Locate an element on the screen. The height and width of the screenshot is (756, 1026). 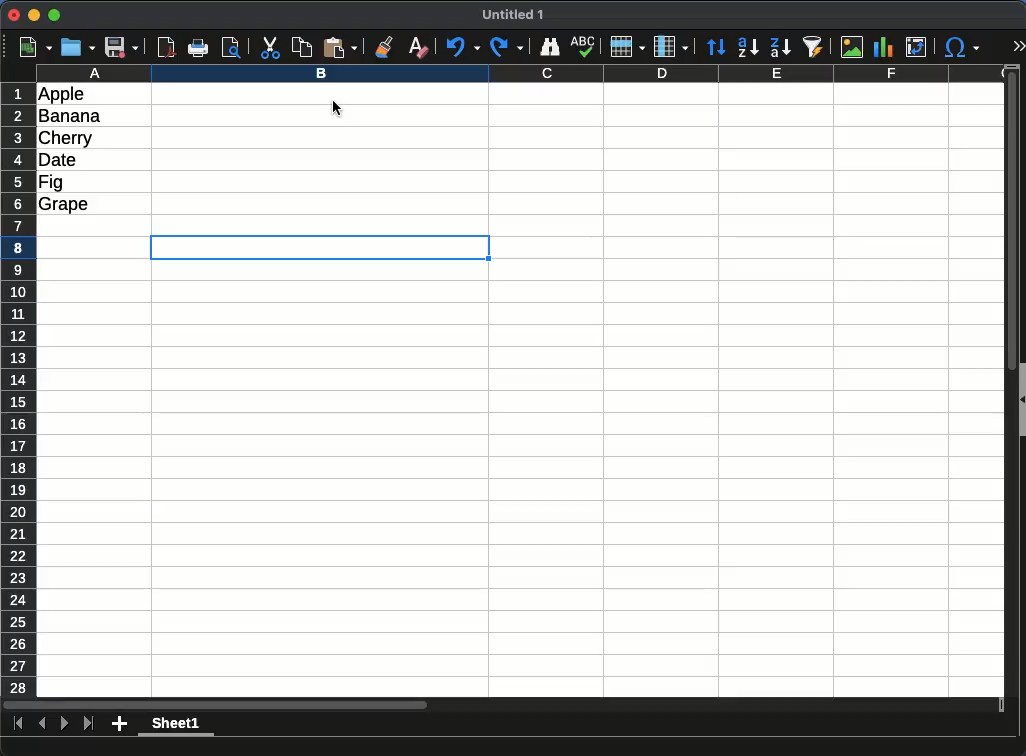
first sheet is located at coordinates (19, 724).